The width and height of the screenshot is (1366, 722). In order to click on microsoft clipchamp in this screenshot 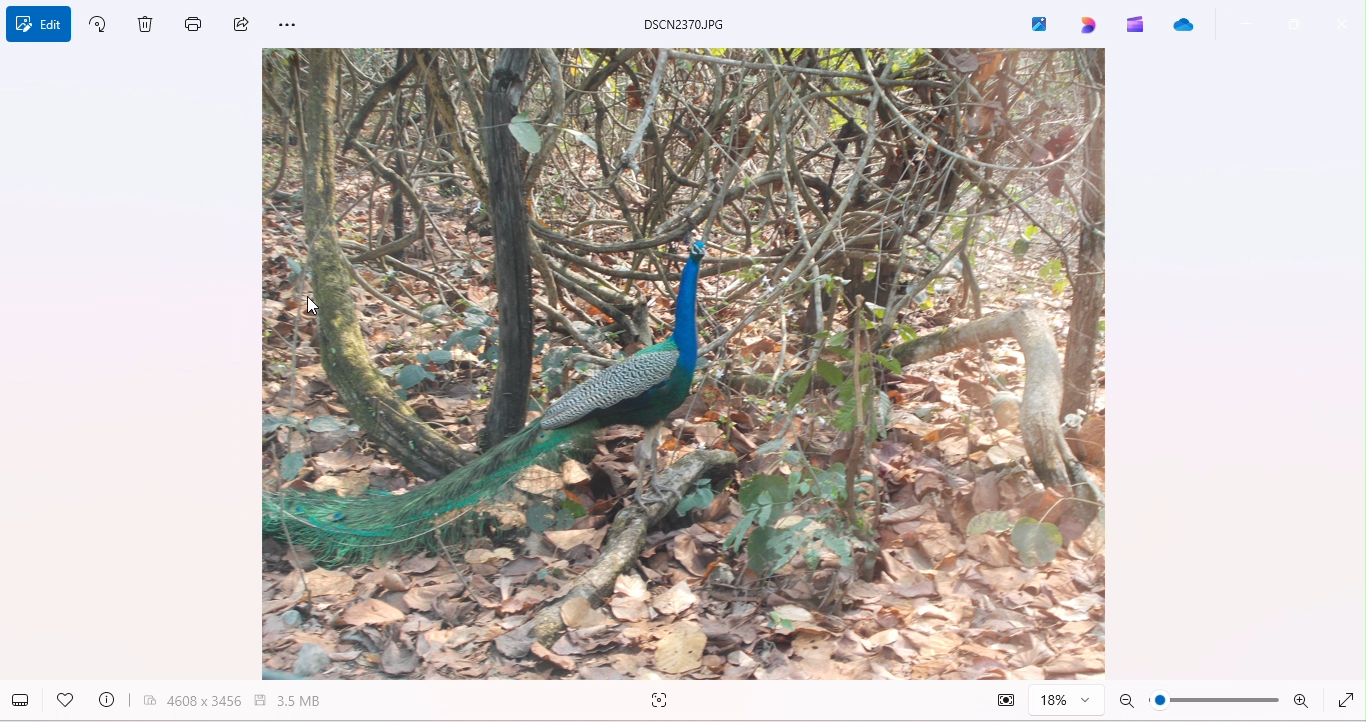, I will do `click(1137, 26)`.